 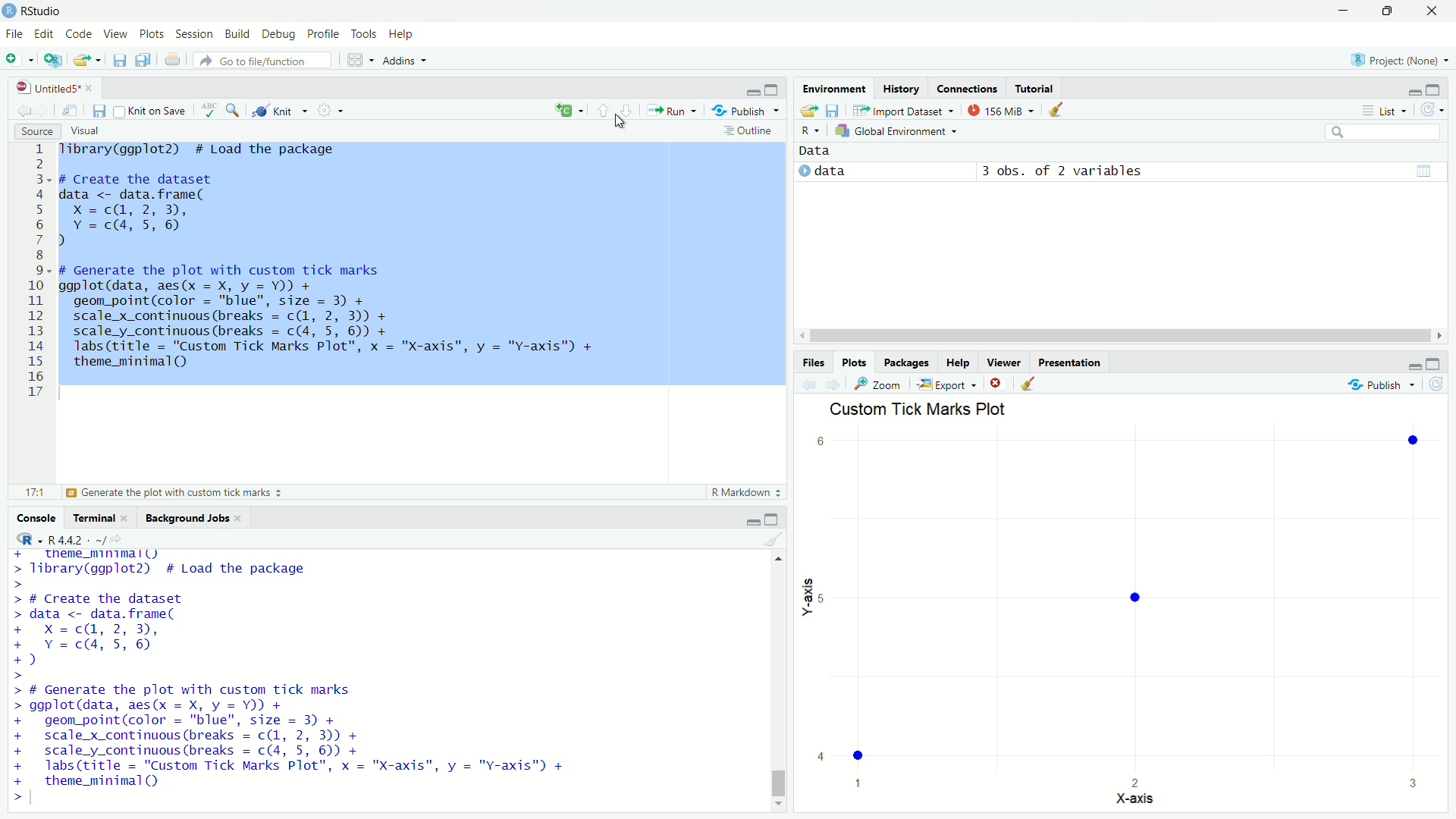 What do you see at coordinates (17, 109) in the screenshot?
I see `go back to the previous source location` at bounding box center [17, 109].